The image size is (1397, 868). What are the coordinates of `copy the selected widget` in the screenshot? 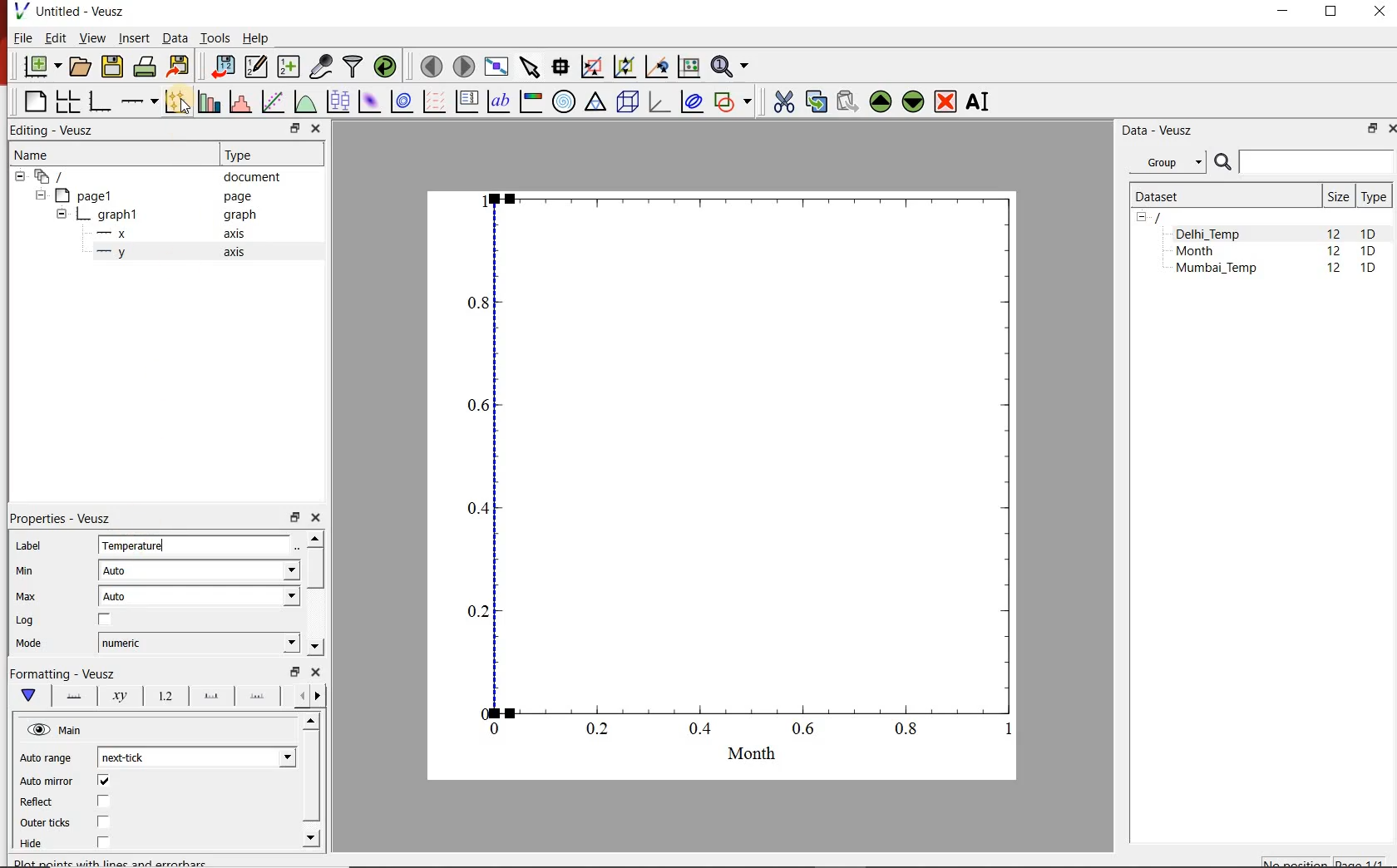 It's located at (814, 101).